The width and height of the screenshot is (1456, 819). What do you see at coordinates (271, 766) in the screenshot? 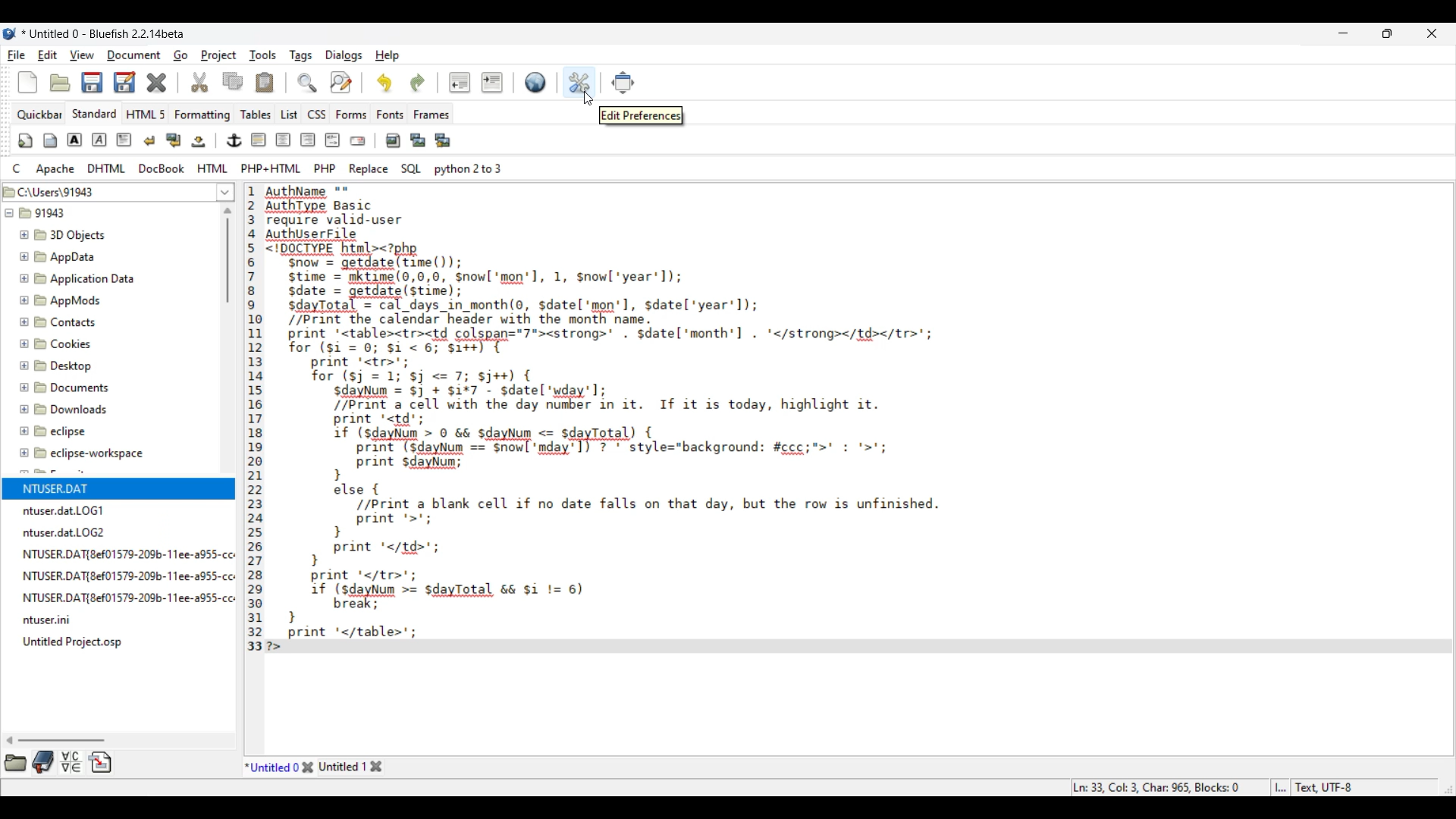
I see `Current tab` at bounding box center [271, 766].